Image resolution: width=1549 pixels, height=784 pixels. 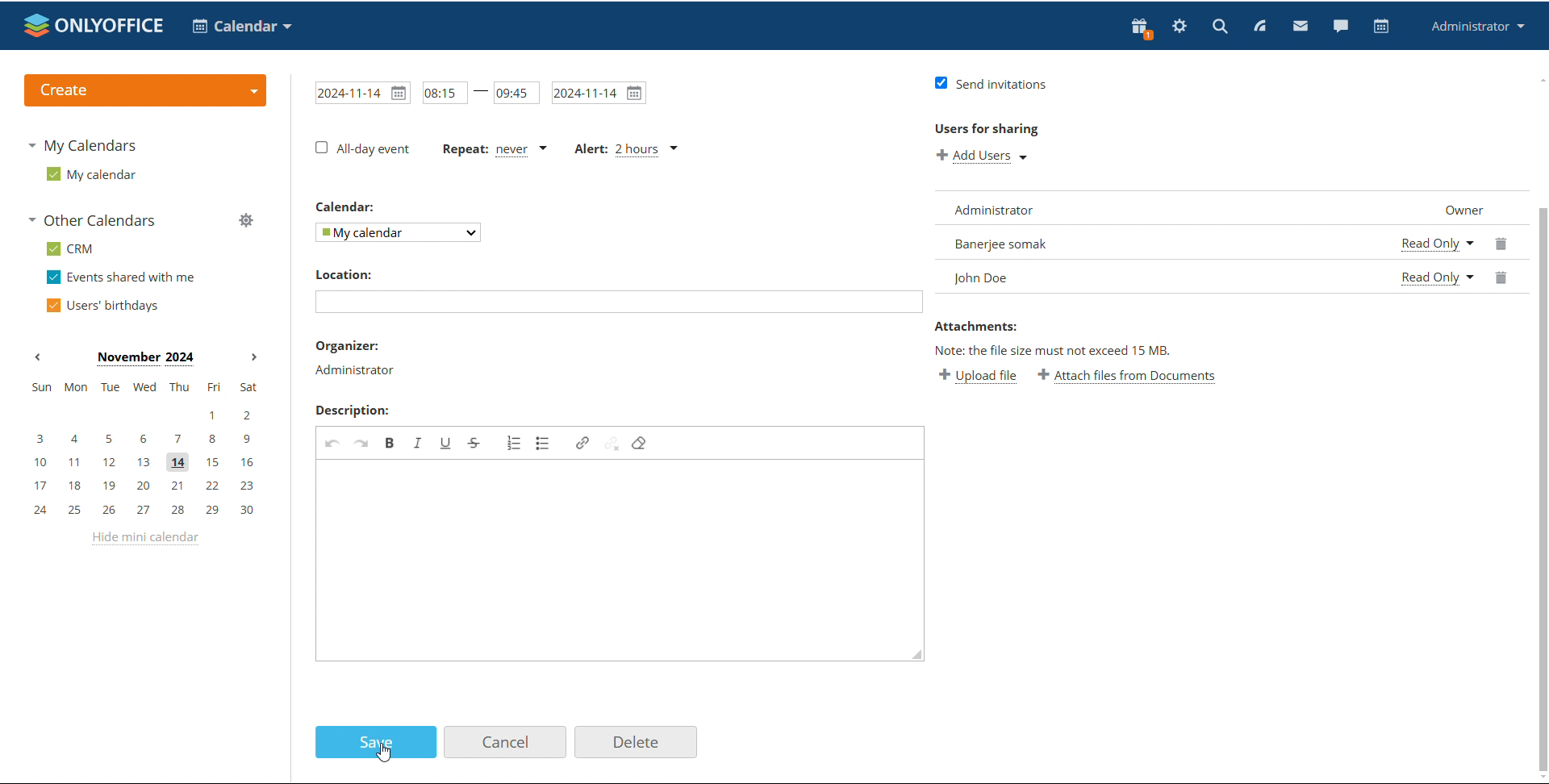 What do you see at coordinates (621, 561) in the screenshot?
I see `Add description` at bounding box center [621, 561].